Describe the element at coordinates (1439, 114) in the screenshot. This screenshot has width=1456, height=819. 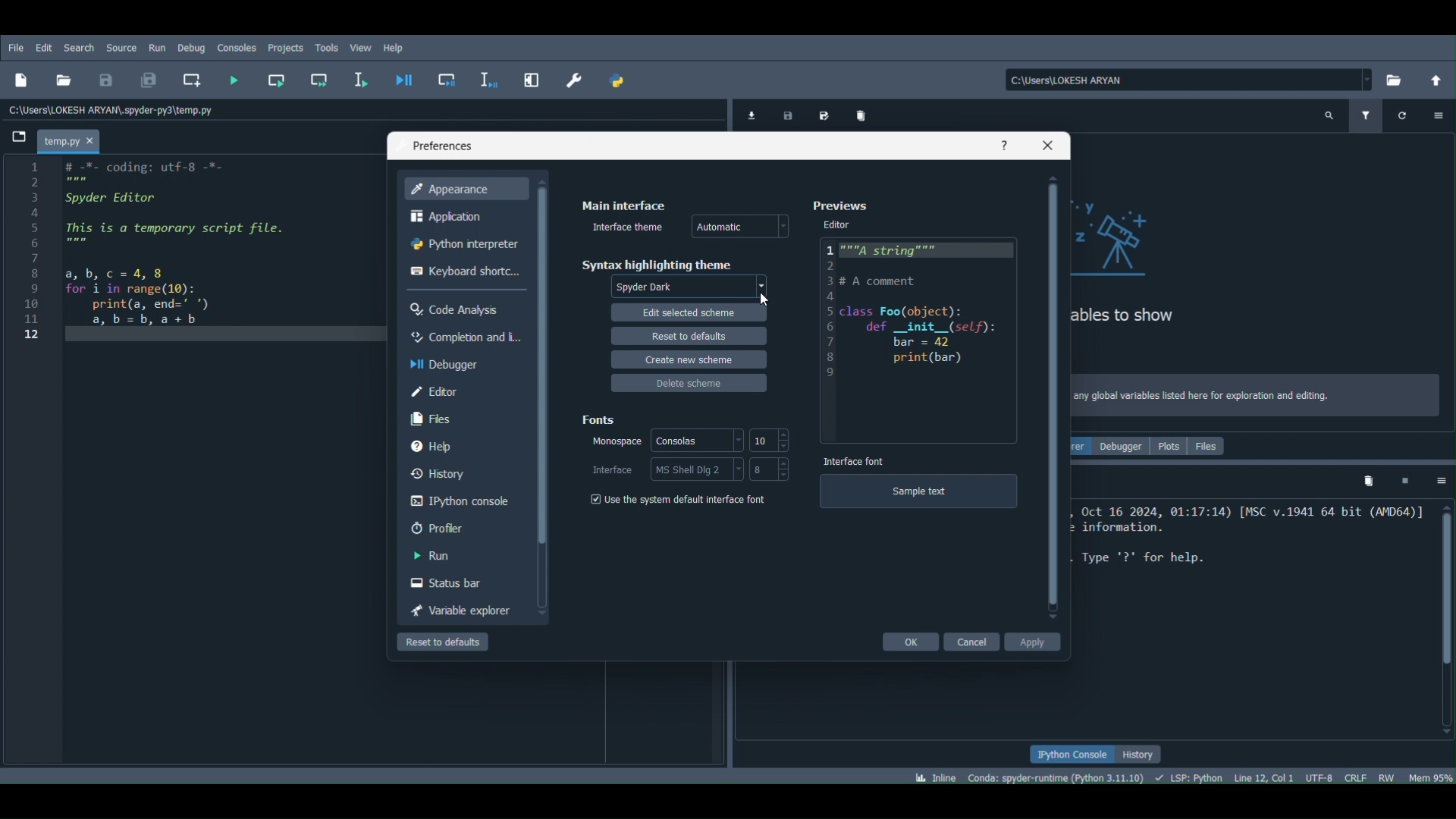
I see `Options` at that location.